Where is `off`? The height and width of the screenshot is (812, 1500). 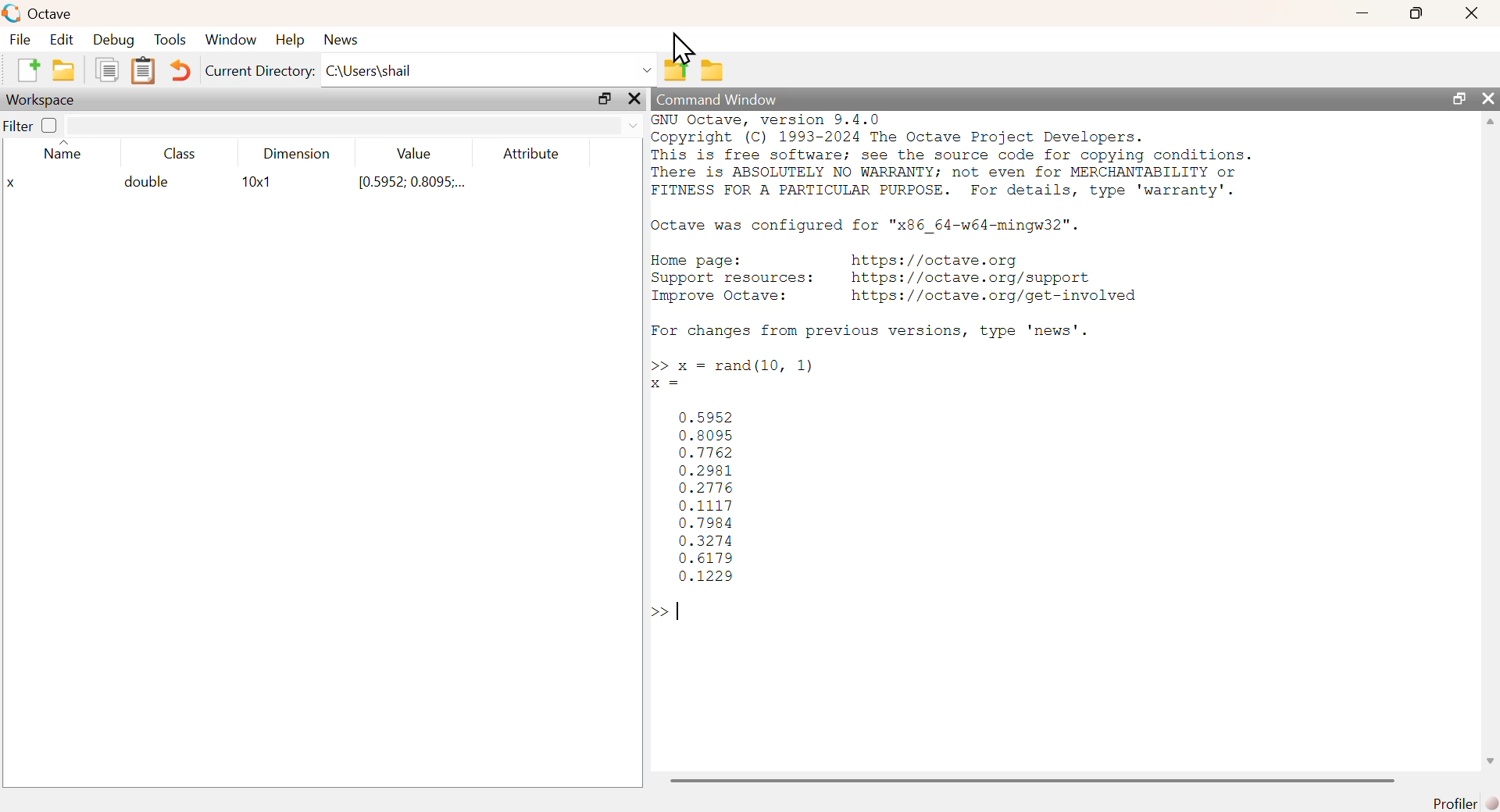
off is located at coordinates (50, 126).